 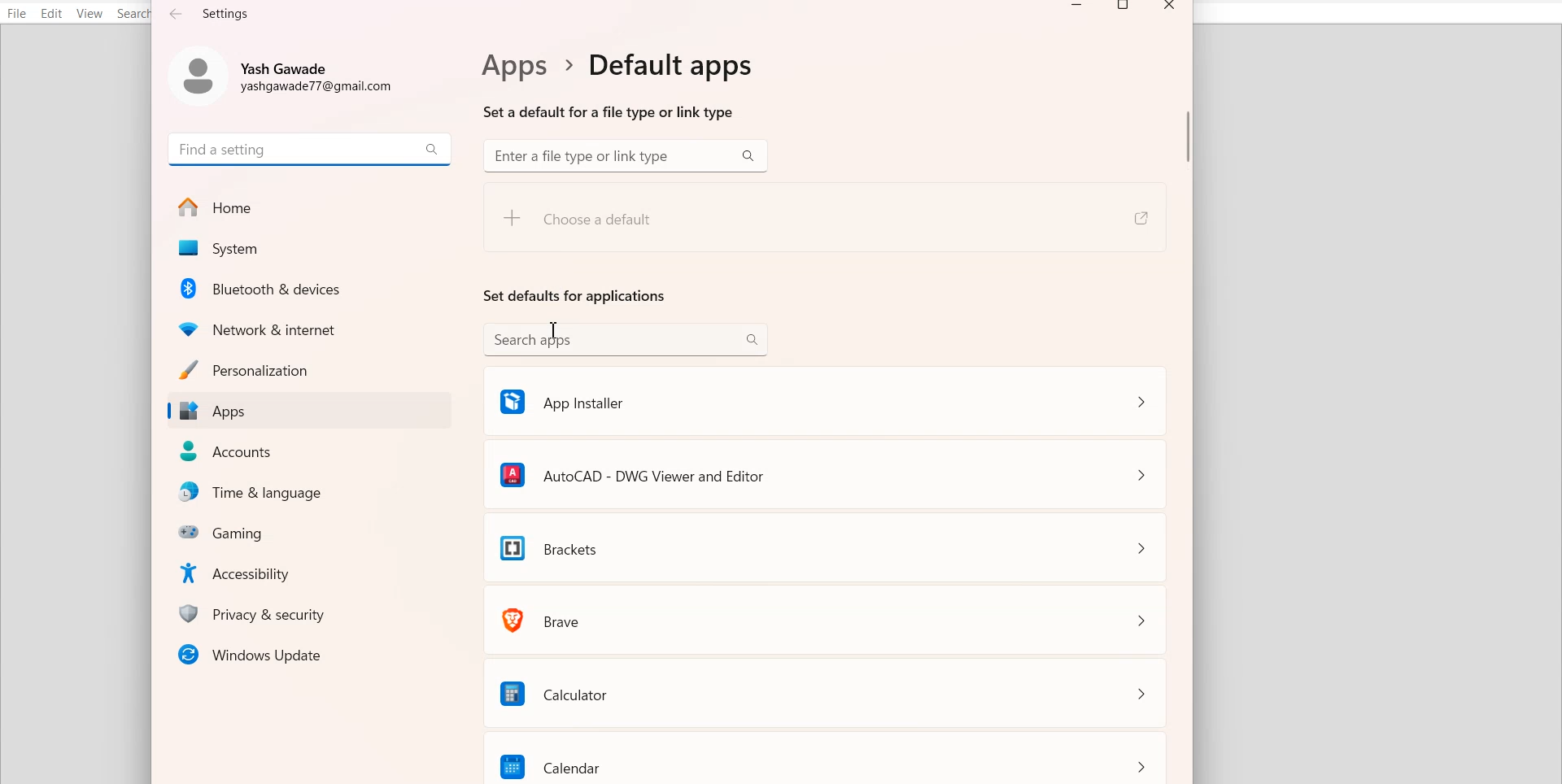 What do you see at coordinates (308, 412) in the screenshot?
I see `Apps` at bounding box center [308, 412].